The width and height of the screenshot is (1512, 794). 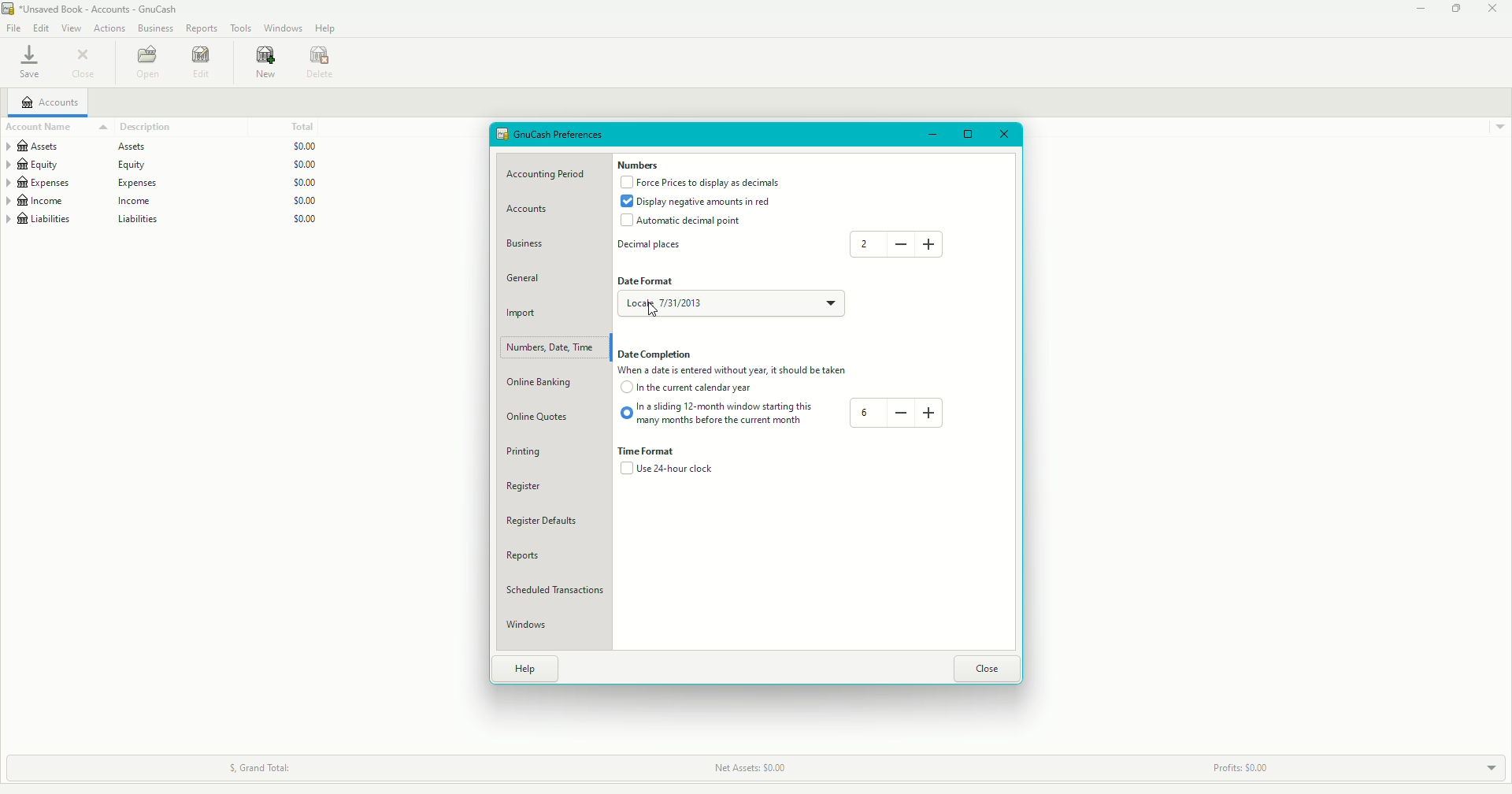 I want to click on Close, so click(x=82, y=65).